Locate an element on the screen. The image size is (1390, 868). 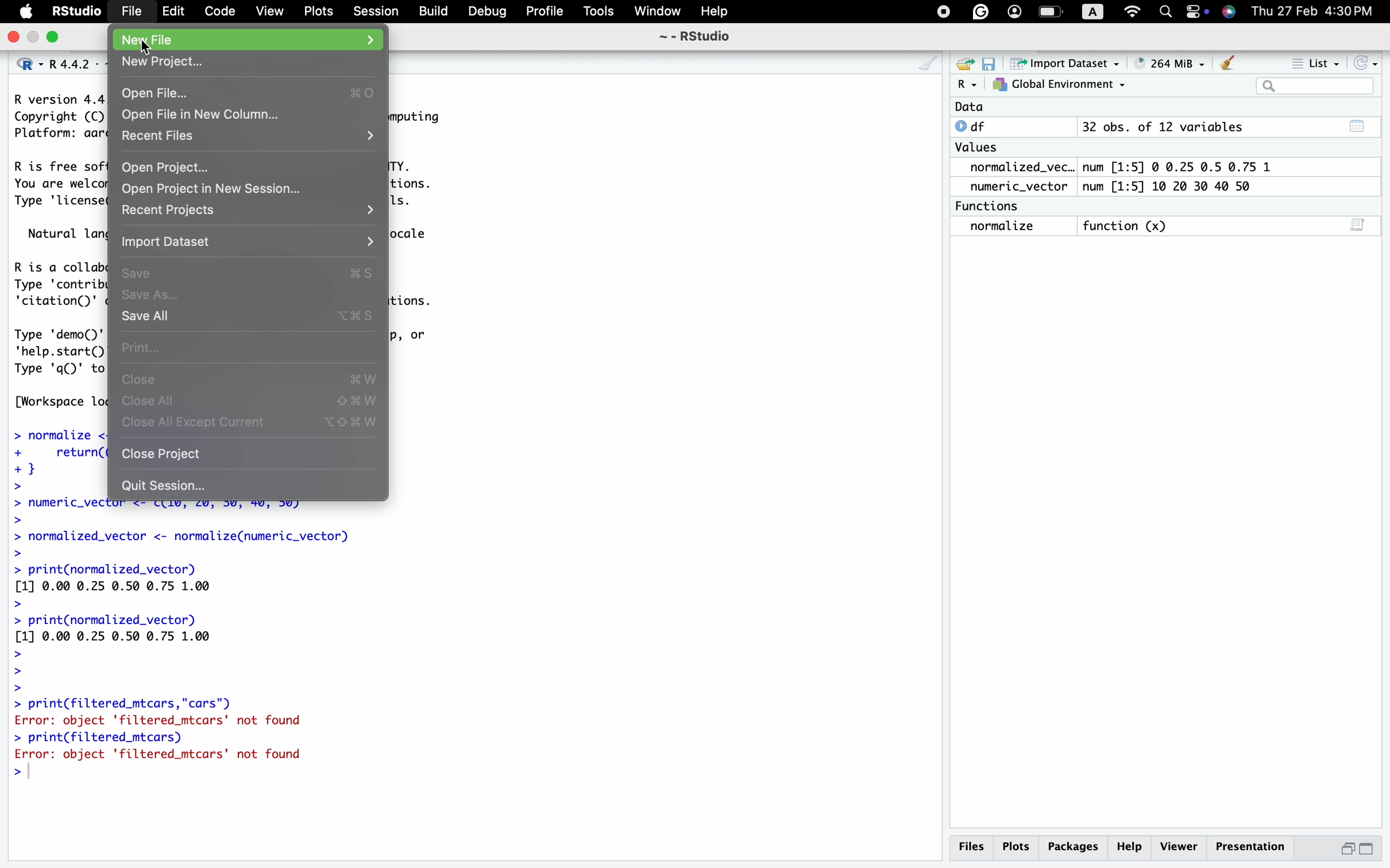
R 4.4.2 . ~ is located at coordinates (79, 64).